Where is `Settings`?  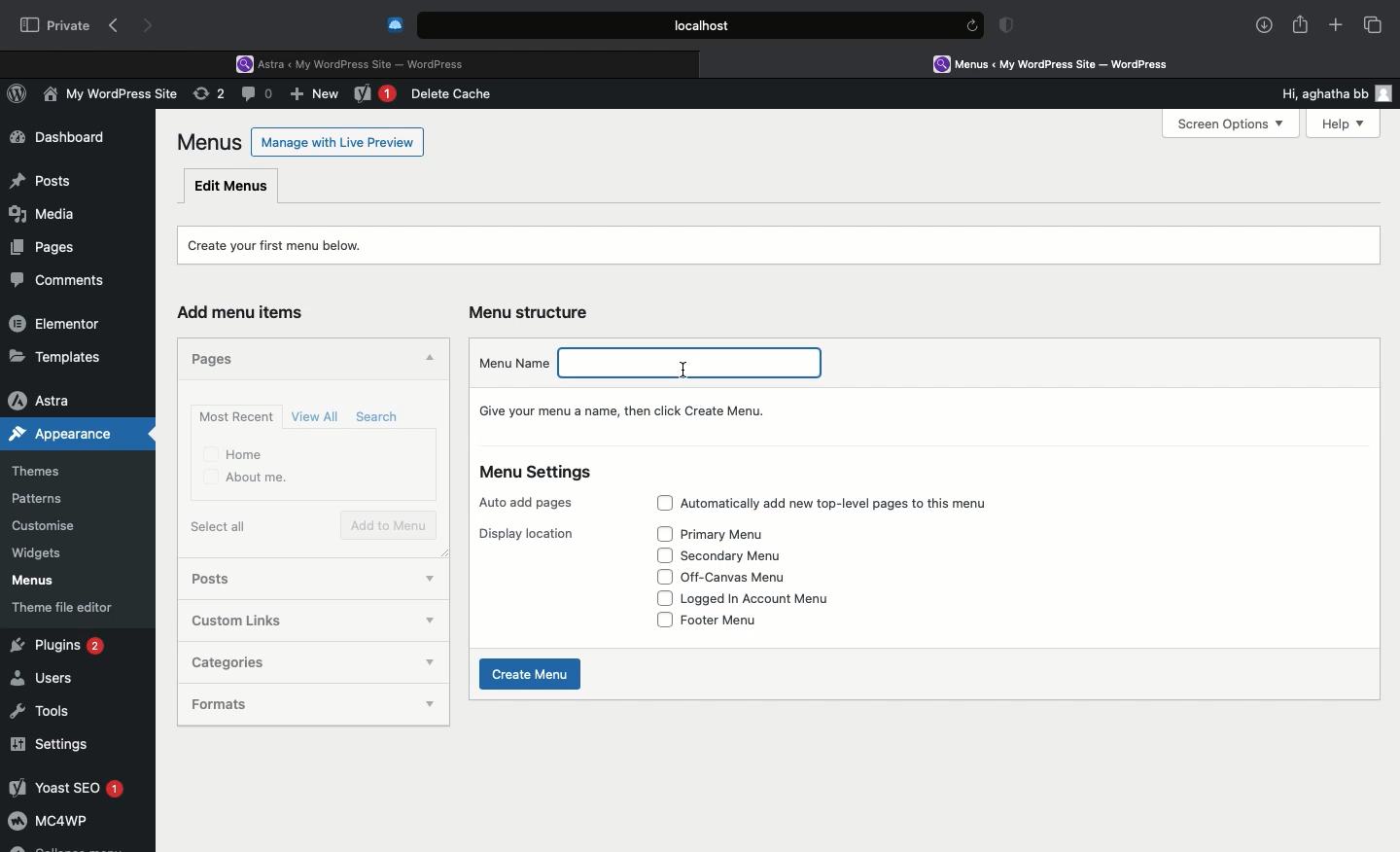
Settings is located at coordinates (51, 744).